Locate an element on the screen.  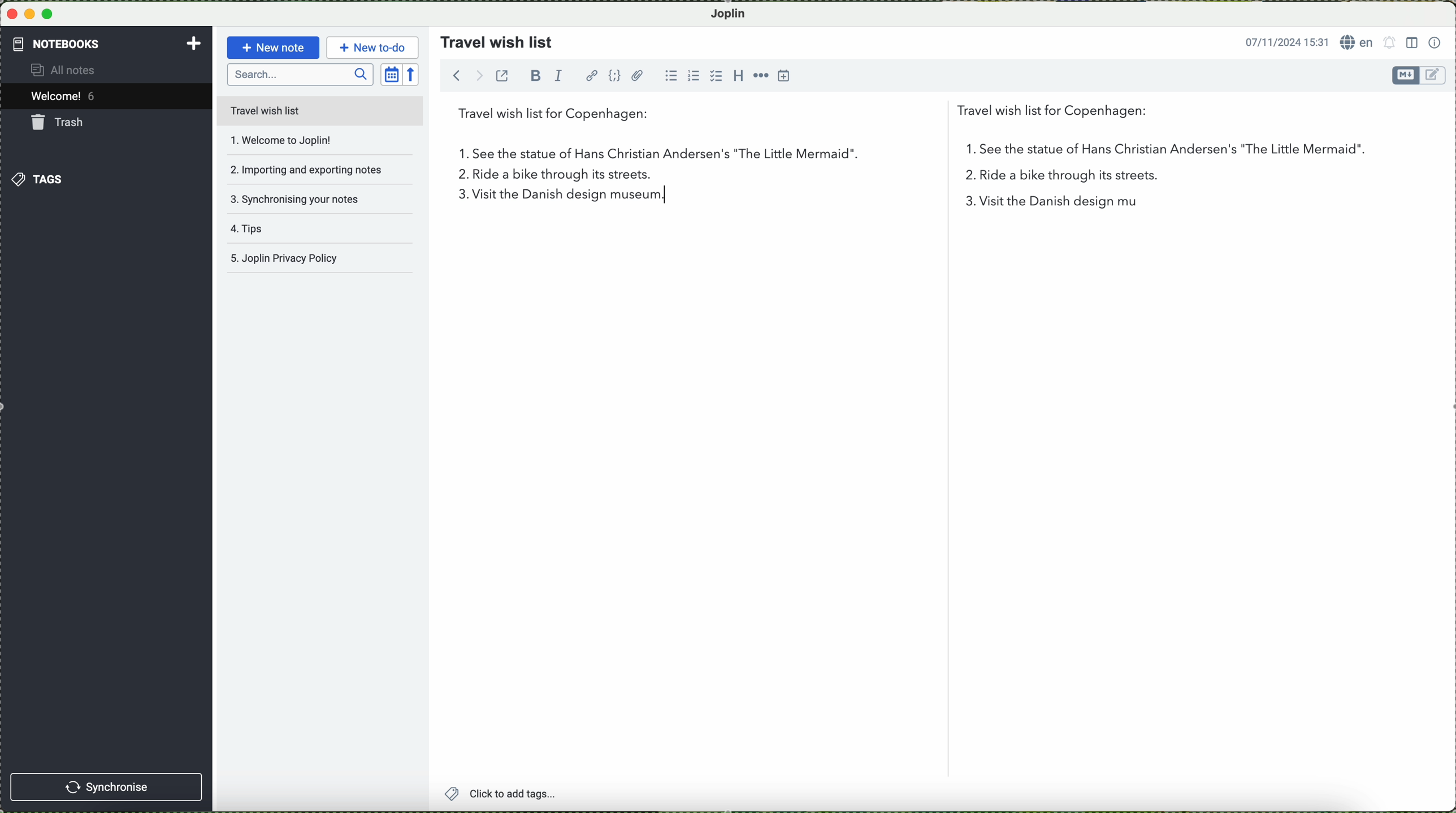
note properties is located at coordinates (1435, 41).